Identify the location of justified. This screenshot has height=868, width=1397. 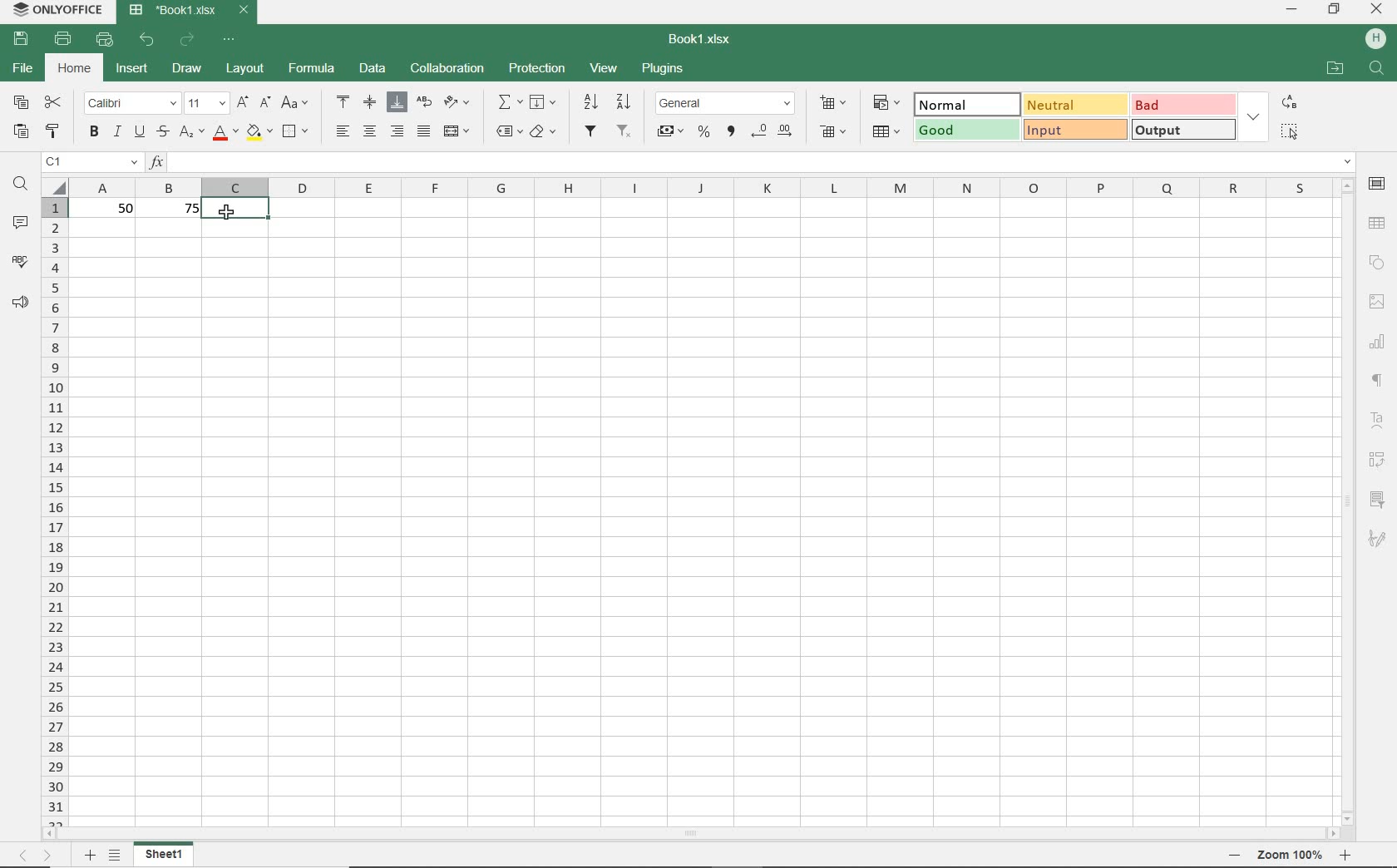
(422, 131).